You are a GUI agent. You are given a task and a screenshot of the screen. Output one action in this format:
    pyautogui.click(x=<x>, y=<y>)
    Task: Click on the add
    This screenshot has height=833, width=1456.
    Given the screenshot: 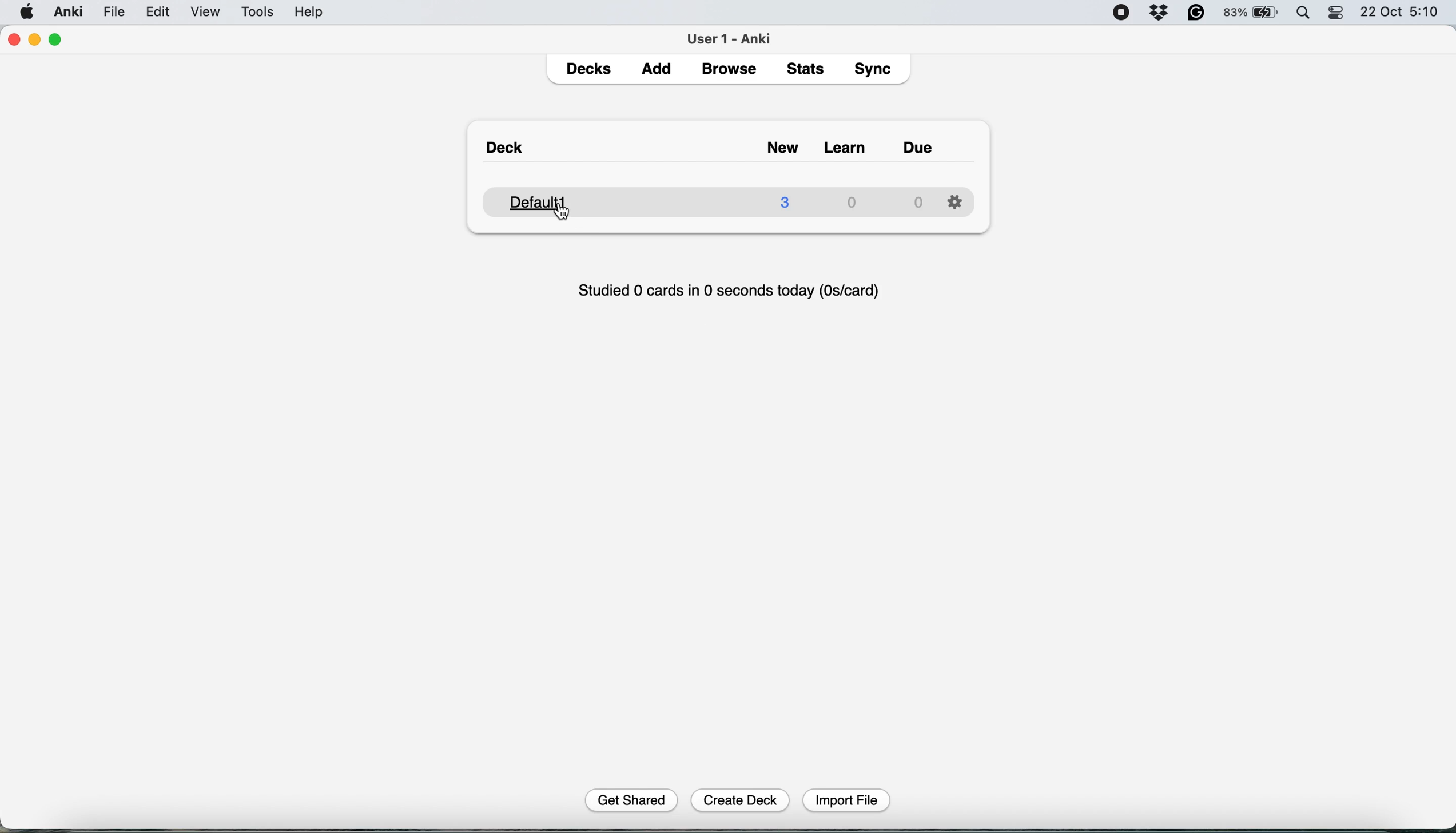 What is the action you would take?
    pyautogui.click(x=660, y=70)
    